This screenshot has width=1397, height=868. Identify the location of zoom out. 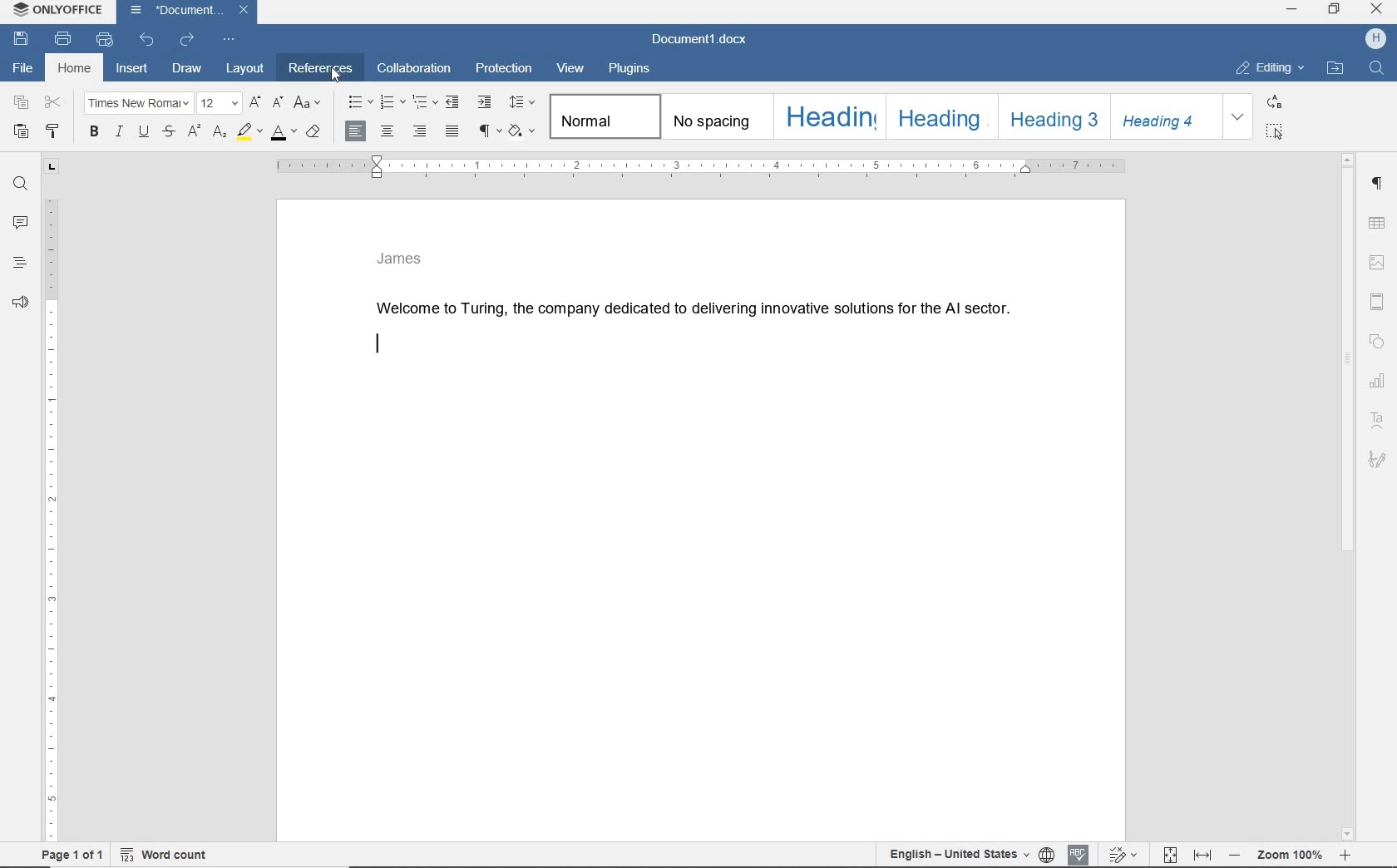
(1238, 857).